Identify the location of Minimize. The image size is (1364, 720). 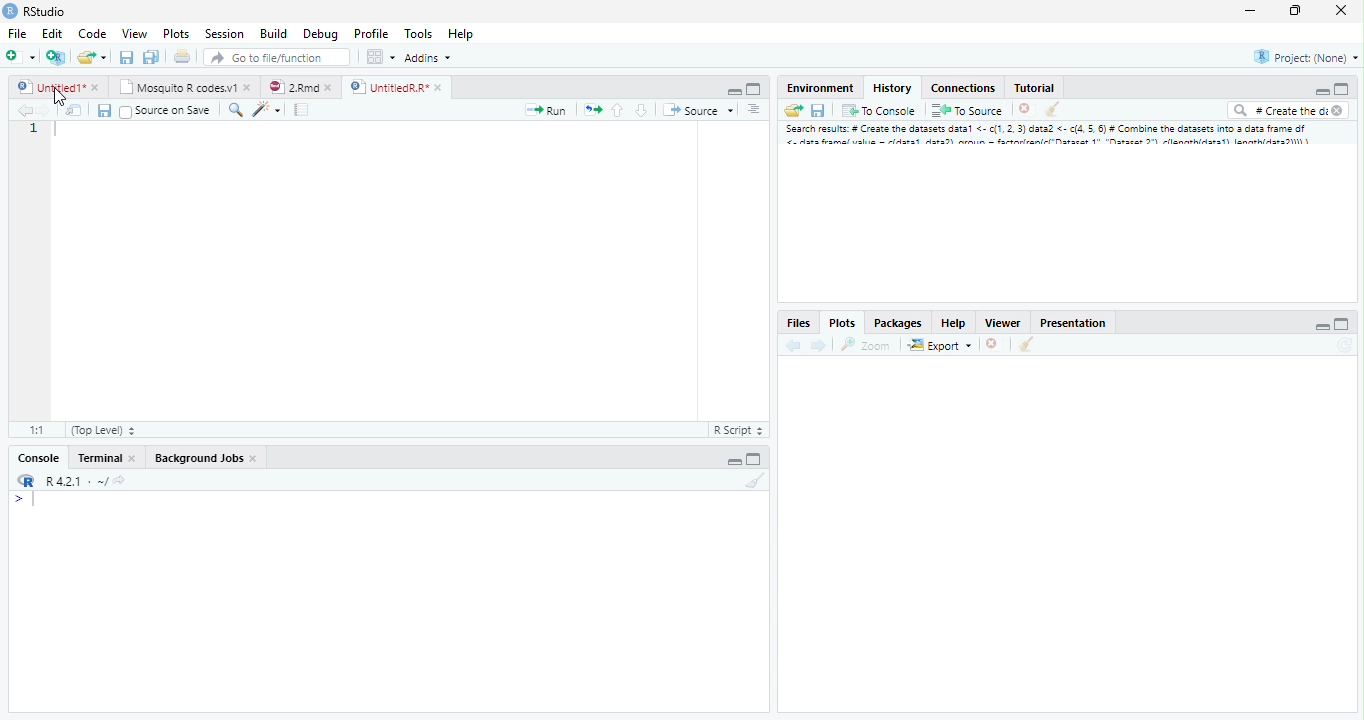
(1319, 325).